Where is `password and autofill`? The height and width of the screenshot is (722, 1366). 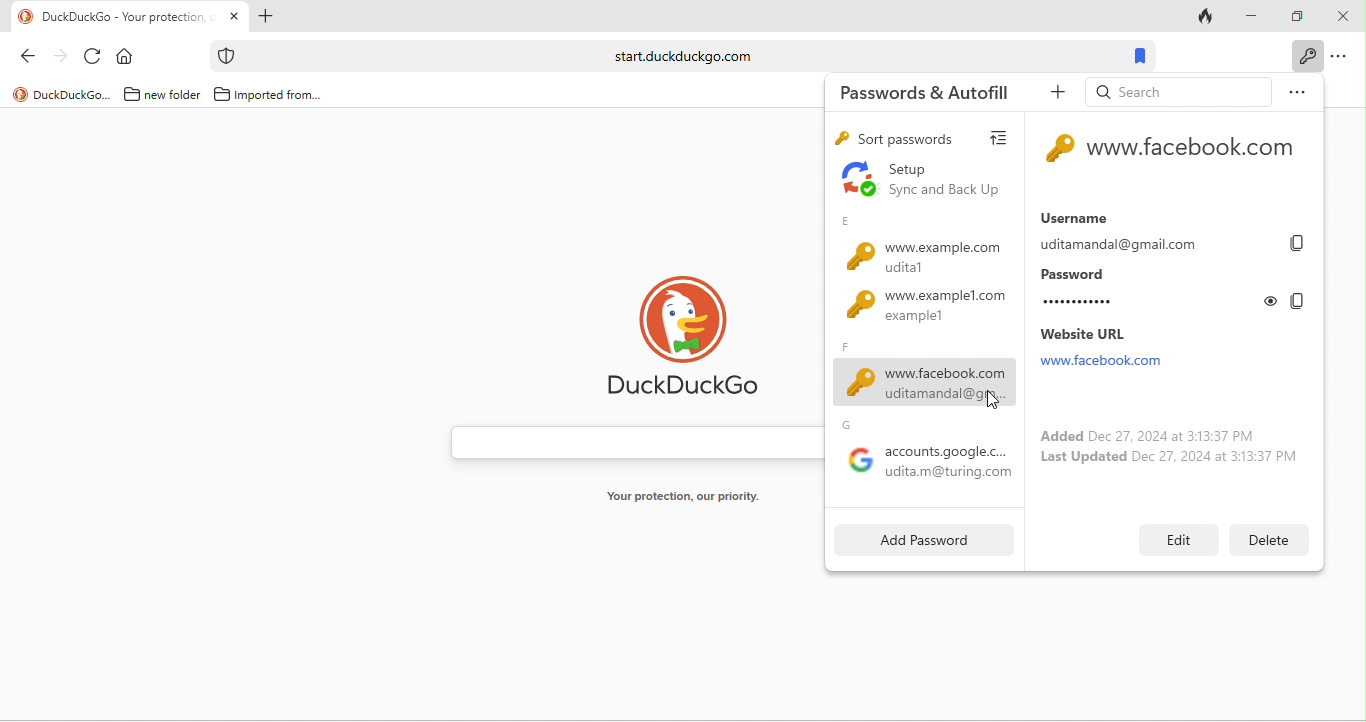 password and autofill is located at coordinates (924, 93).